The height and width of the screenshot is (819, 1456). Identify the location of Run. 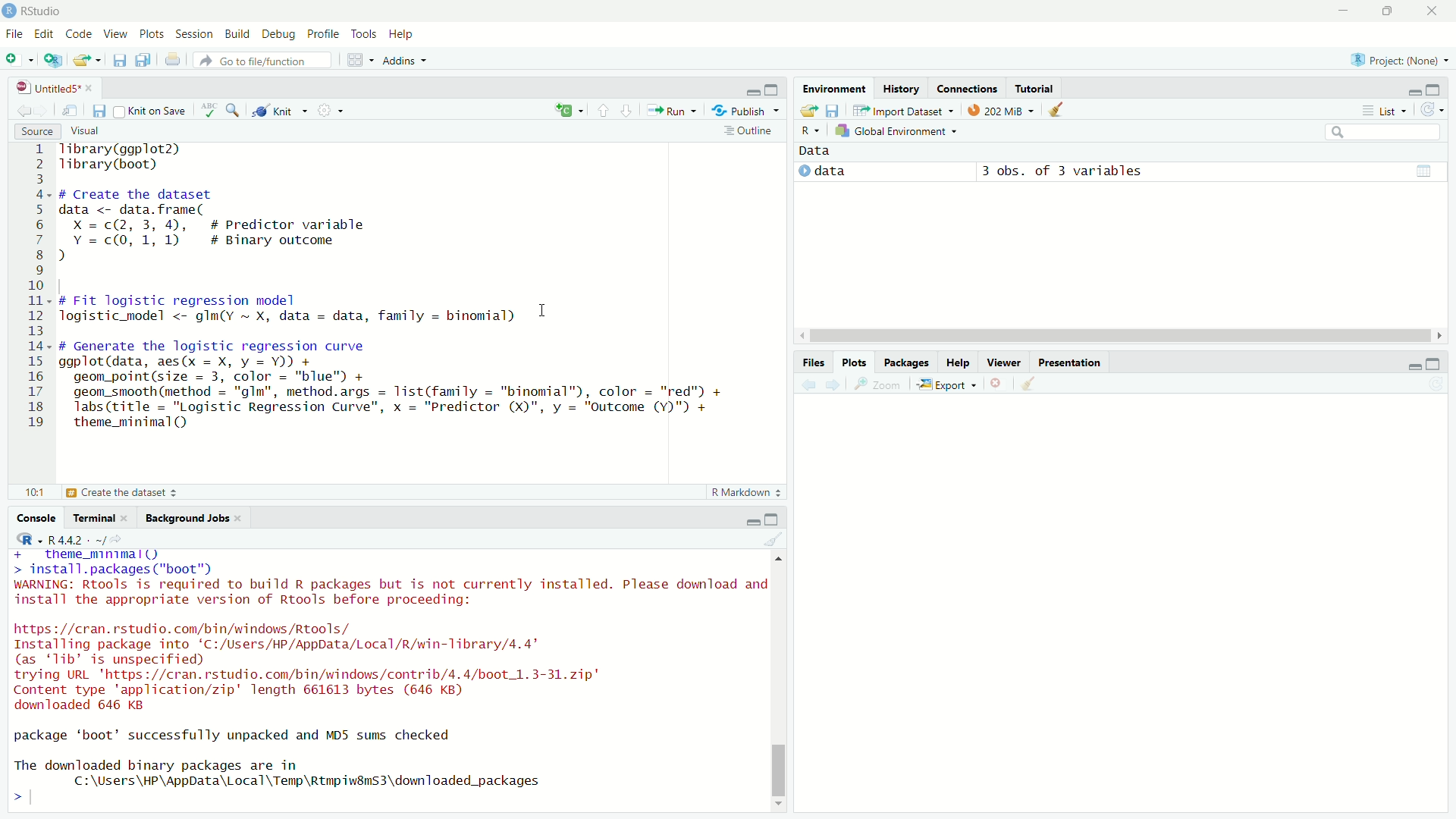
(672, 110).